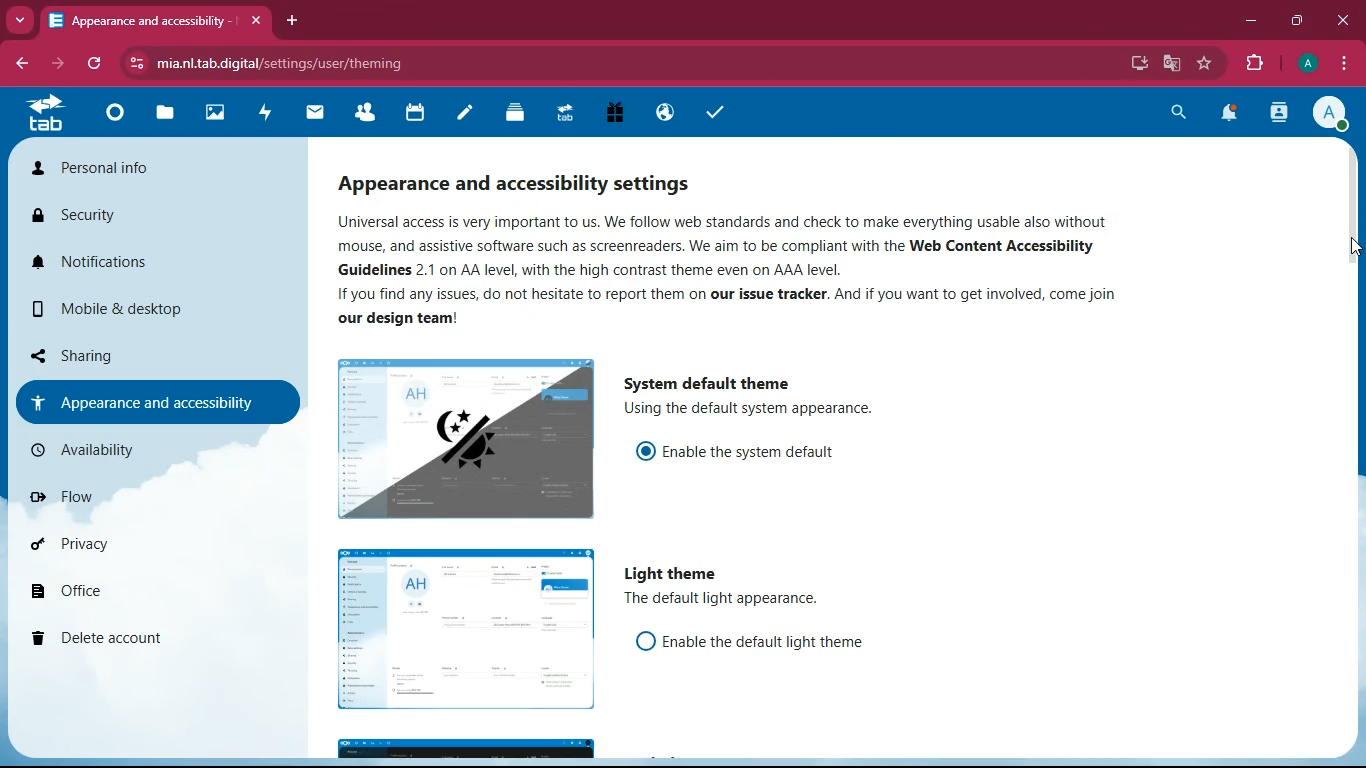 The width and height of the screenshot is (1366, 768). Describe the element at coordinates (128, 549) in the screenshot. I see `privacy` at that location.